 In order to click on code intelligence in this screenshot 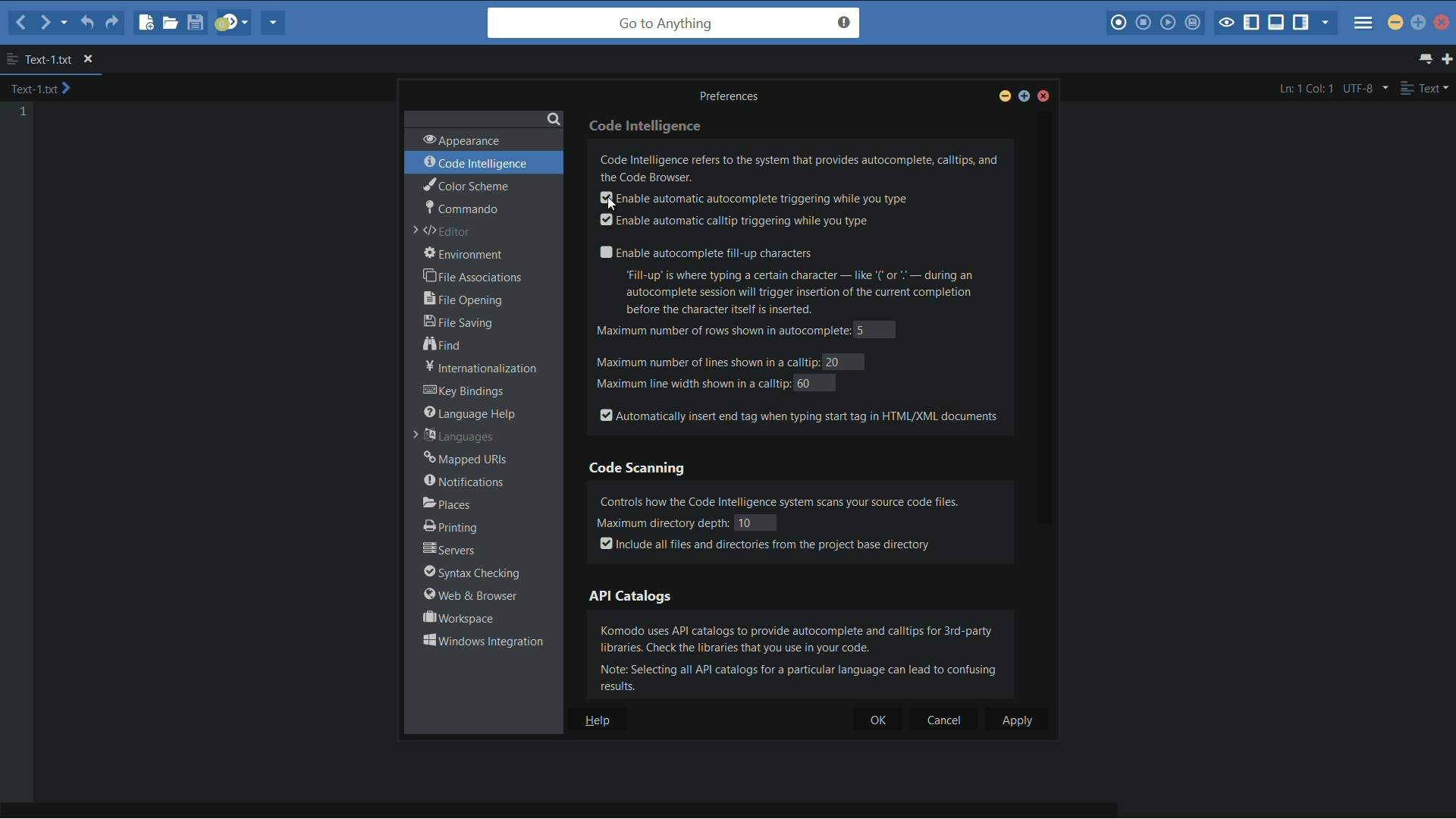, I will do `click(648, 124)`.